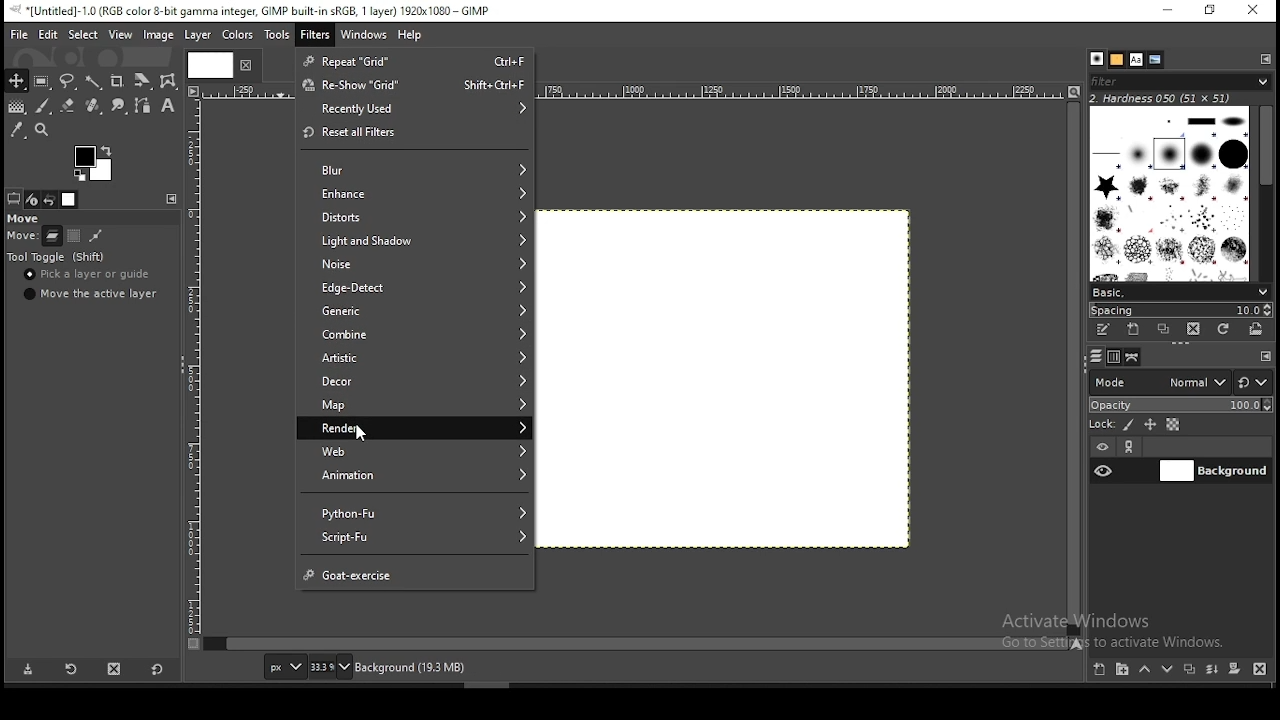  Describe the element at coordinates (641, 643) in the screenshot. I see `verticalscroll bar` at that location.